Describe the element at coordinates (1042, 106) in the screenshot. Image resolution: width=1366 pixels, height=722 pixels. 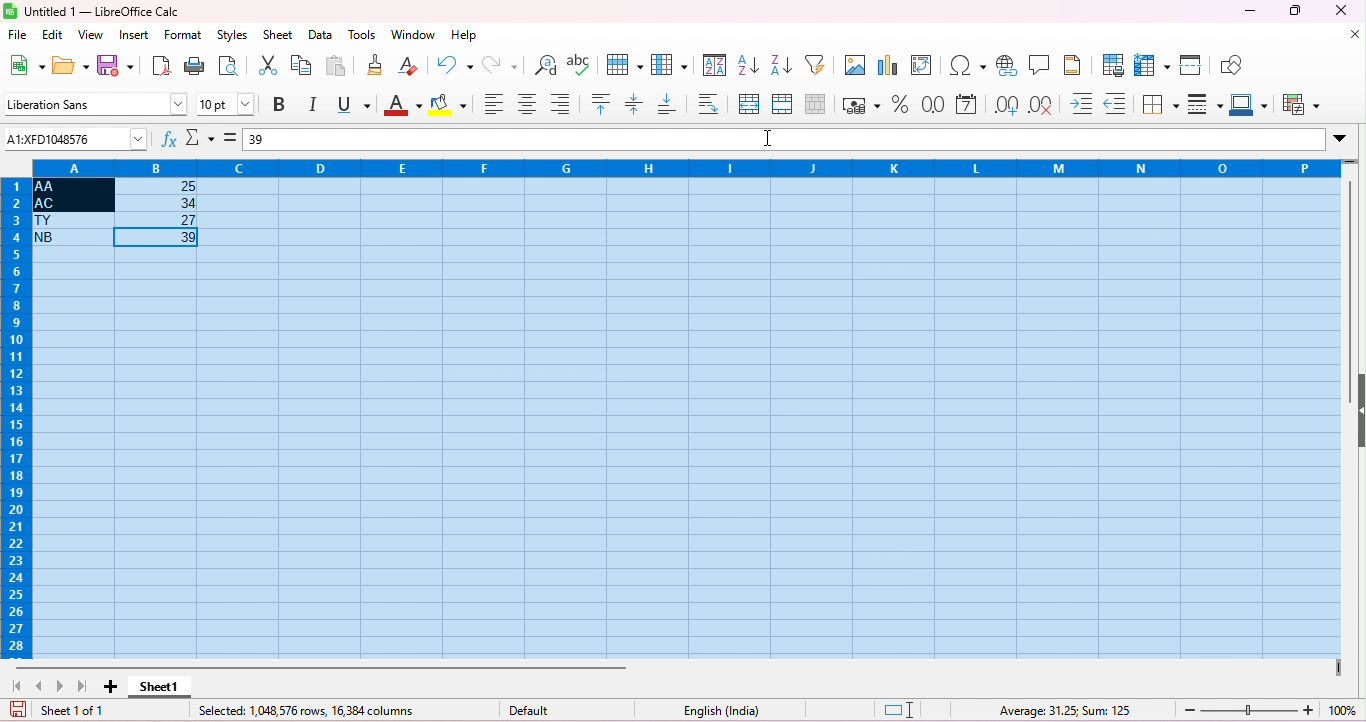
I see `delete decimal` at that location.